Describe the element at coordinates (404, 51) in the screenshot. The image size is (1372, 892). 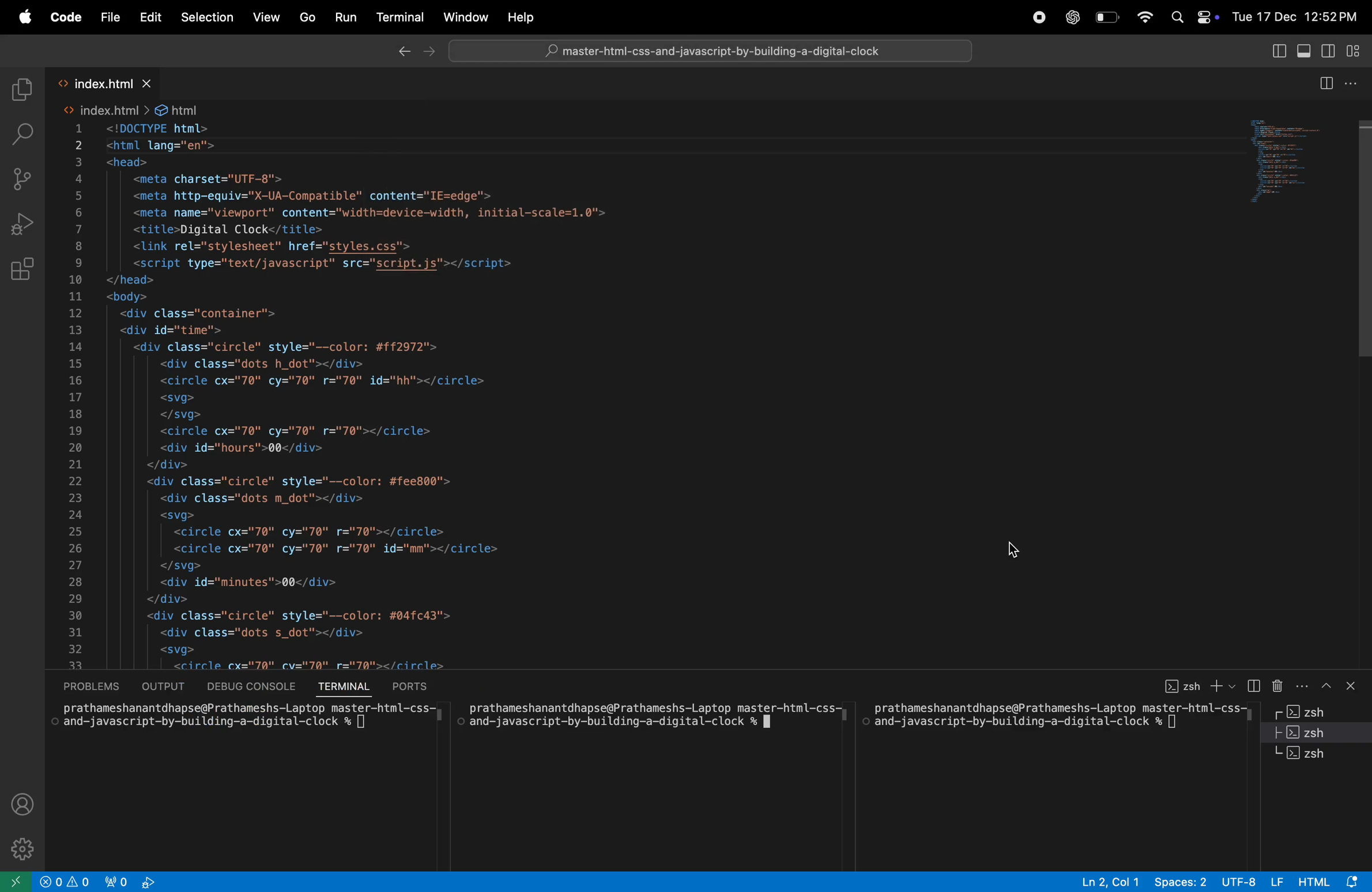
I see `Backward` at that location.